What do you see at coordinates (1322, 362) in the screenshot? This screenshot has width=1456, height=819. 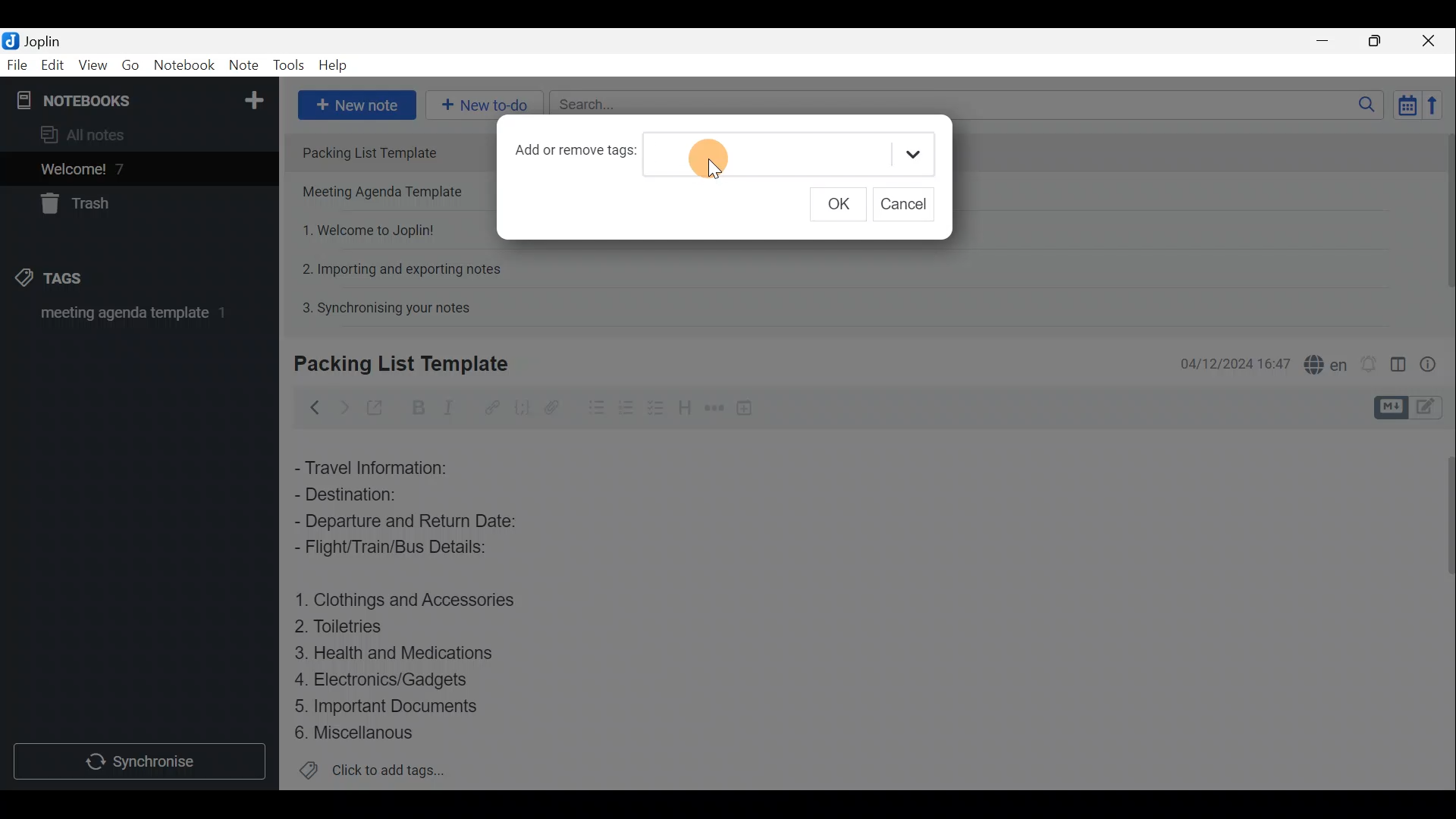 I see `Spell checker` at bounding box center [1322, 362].